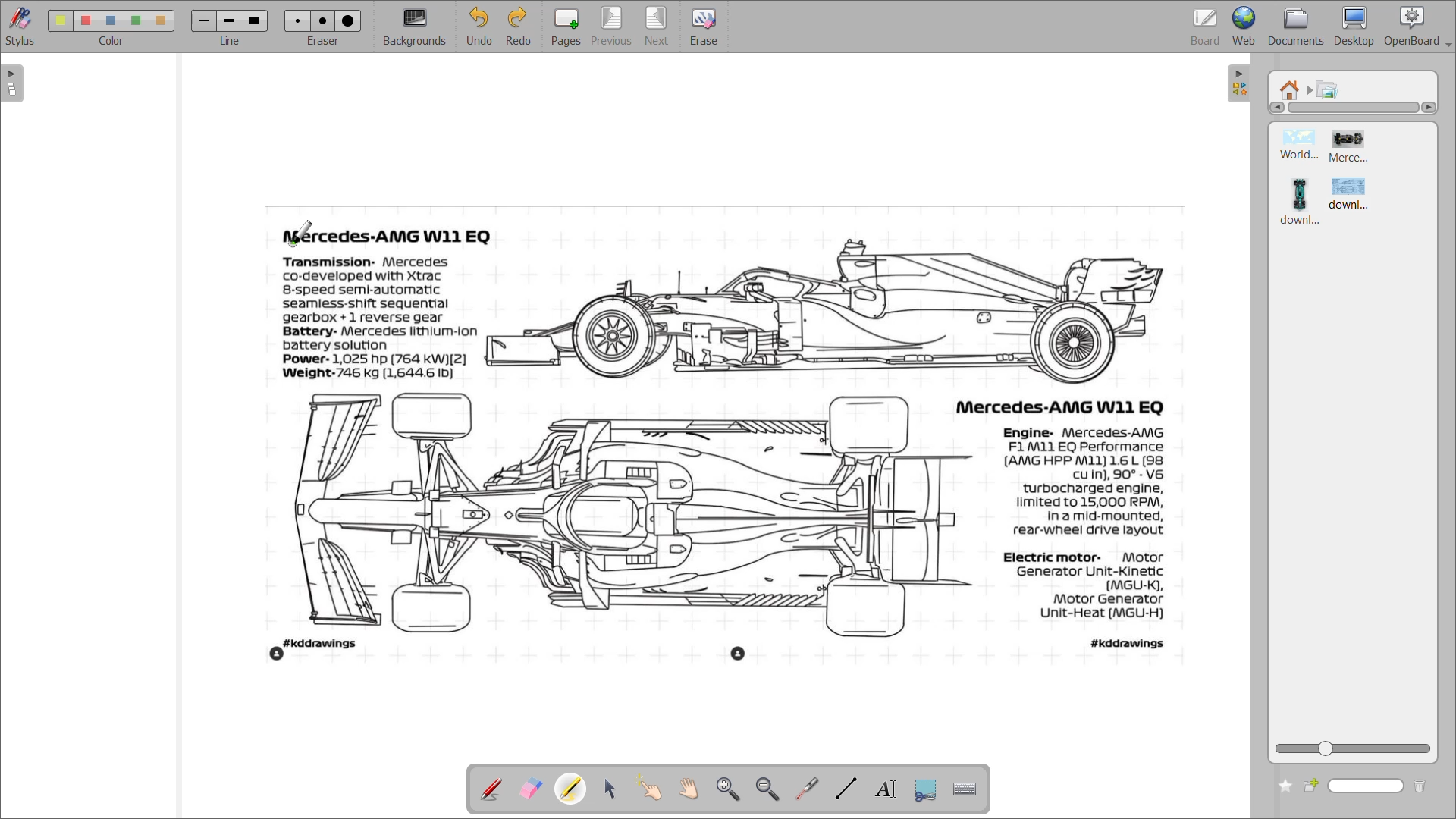 The width and height of the screenshot is (1456, 819). Describe the element at coordinates (478, 27) in the screenshot. I see `undo` at that location.